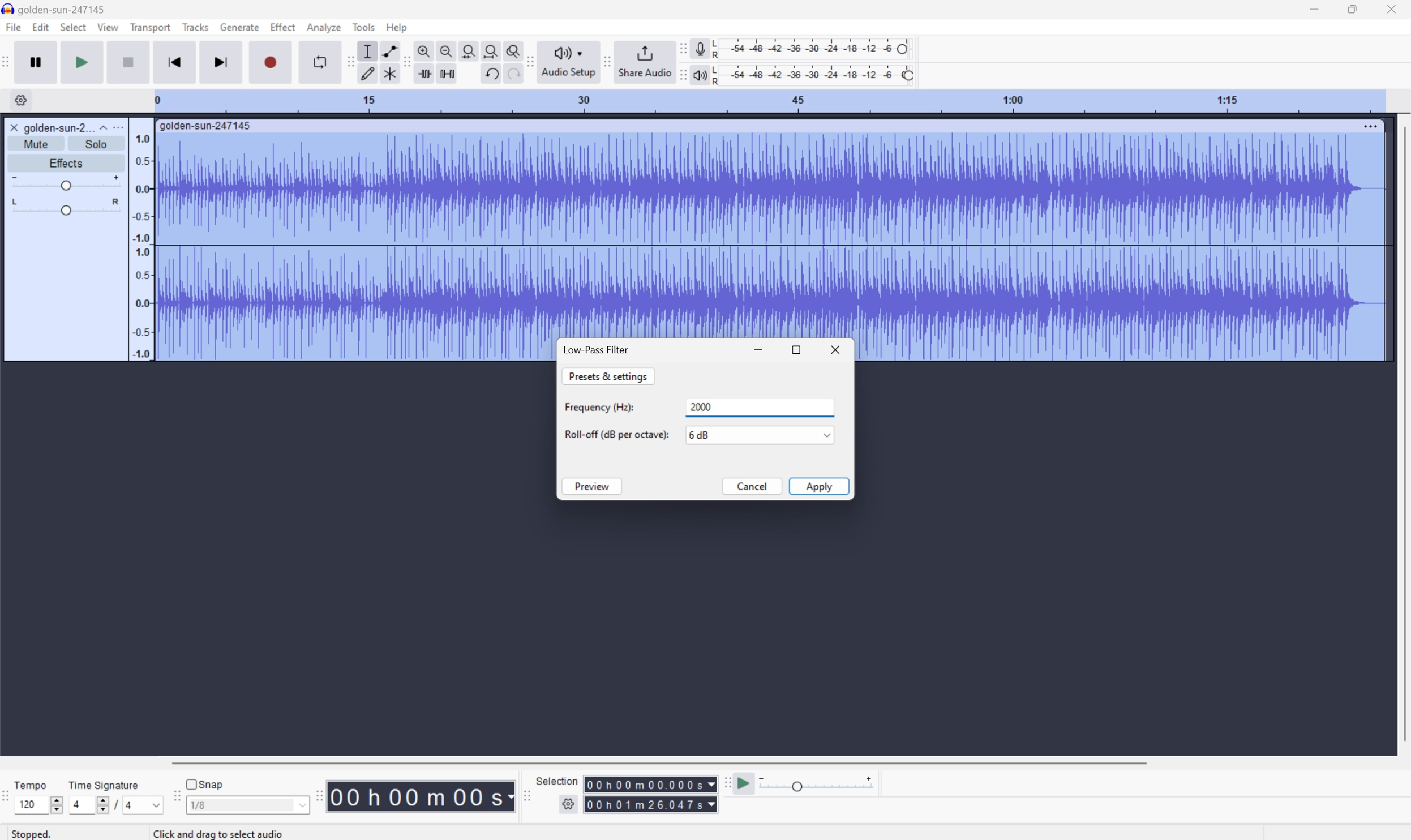  Describe the element at coordinates (387, 76) in the screenshot. I see `Multi tool` at that location.